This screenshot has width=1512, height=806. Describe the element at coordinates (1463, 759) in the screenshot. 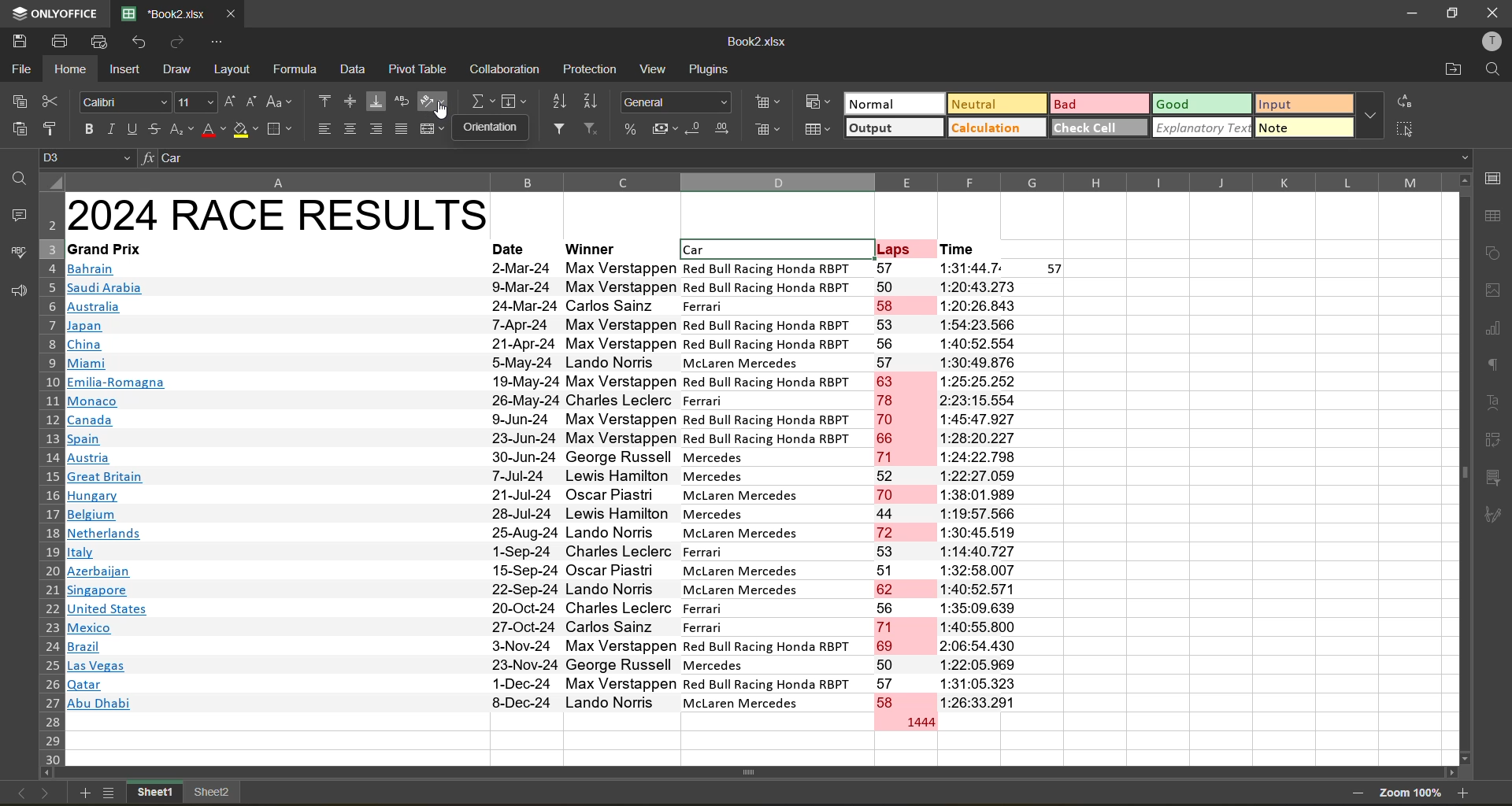

I see `Scroll down` at that location.